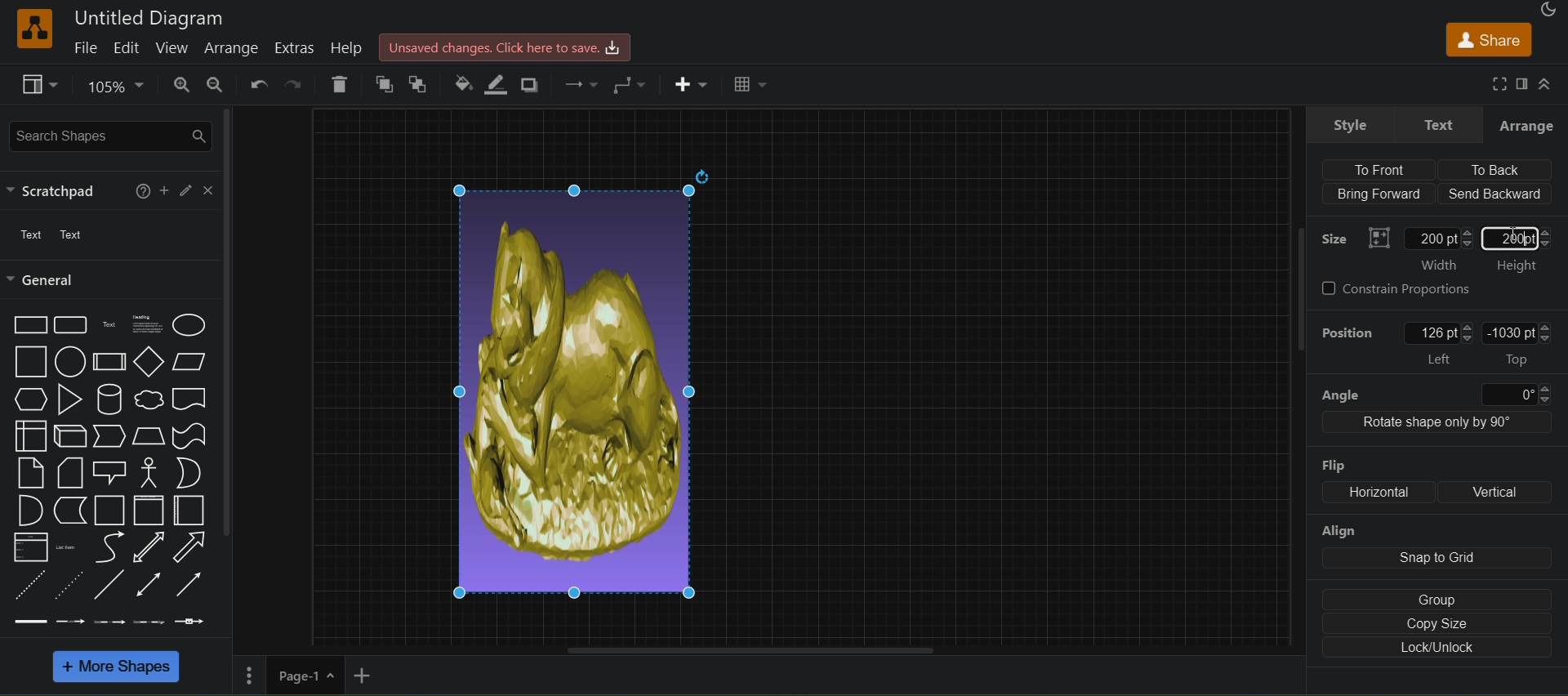 The height and width of the screenshot is (696, 1568). I want to click on text, so click(28, 236).